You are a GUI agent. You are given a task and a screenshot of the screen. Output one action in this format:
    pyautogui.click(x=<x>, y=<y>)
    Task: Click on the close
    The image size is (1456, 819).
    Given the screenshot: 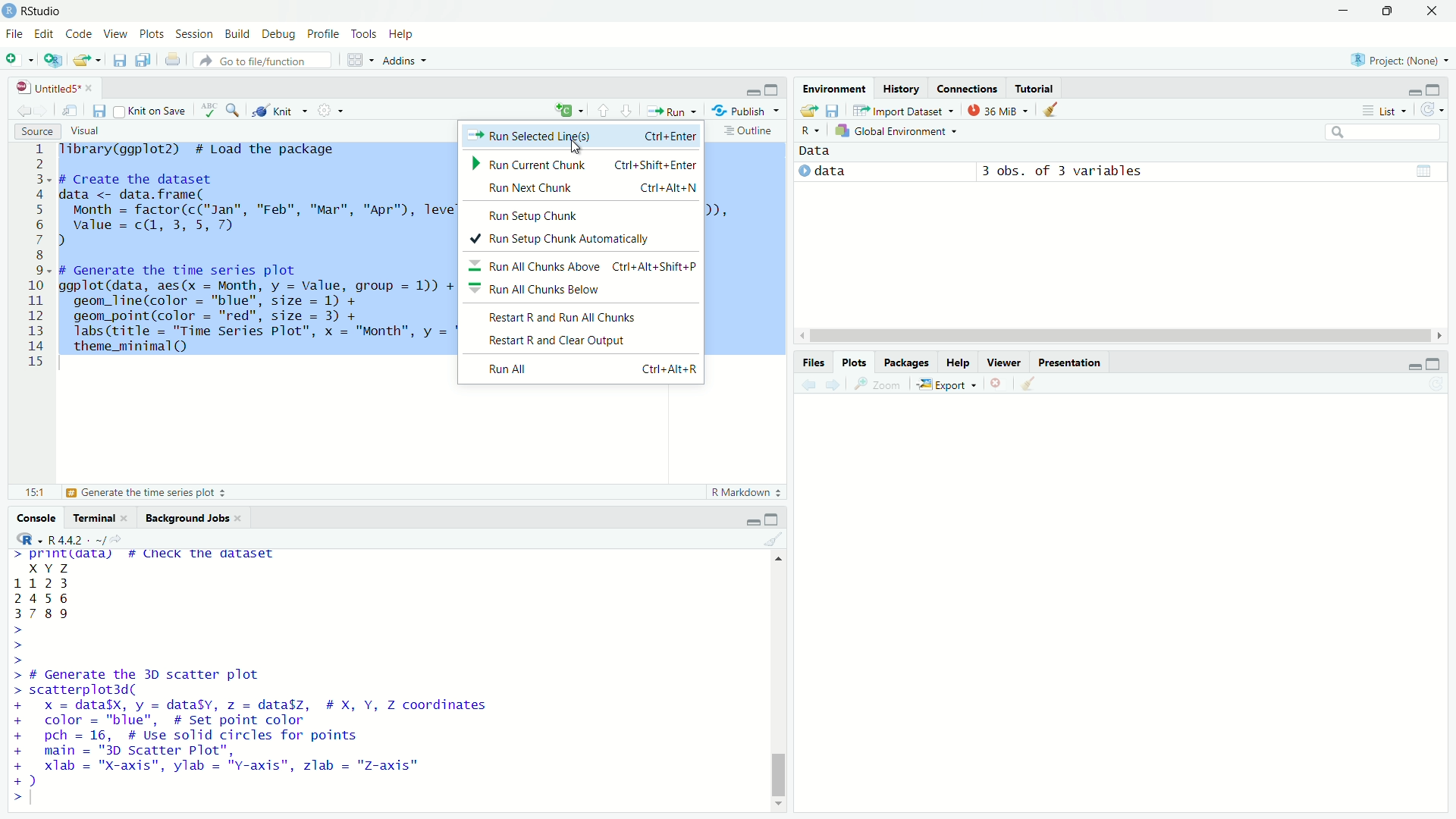 What is the action you would take?
    pyautogui.click(x=1433, y=11)
    